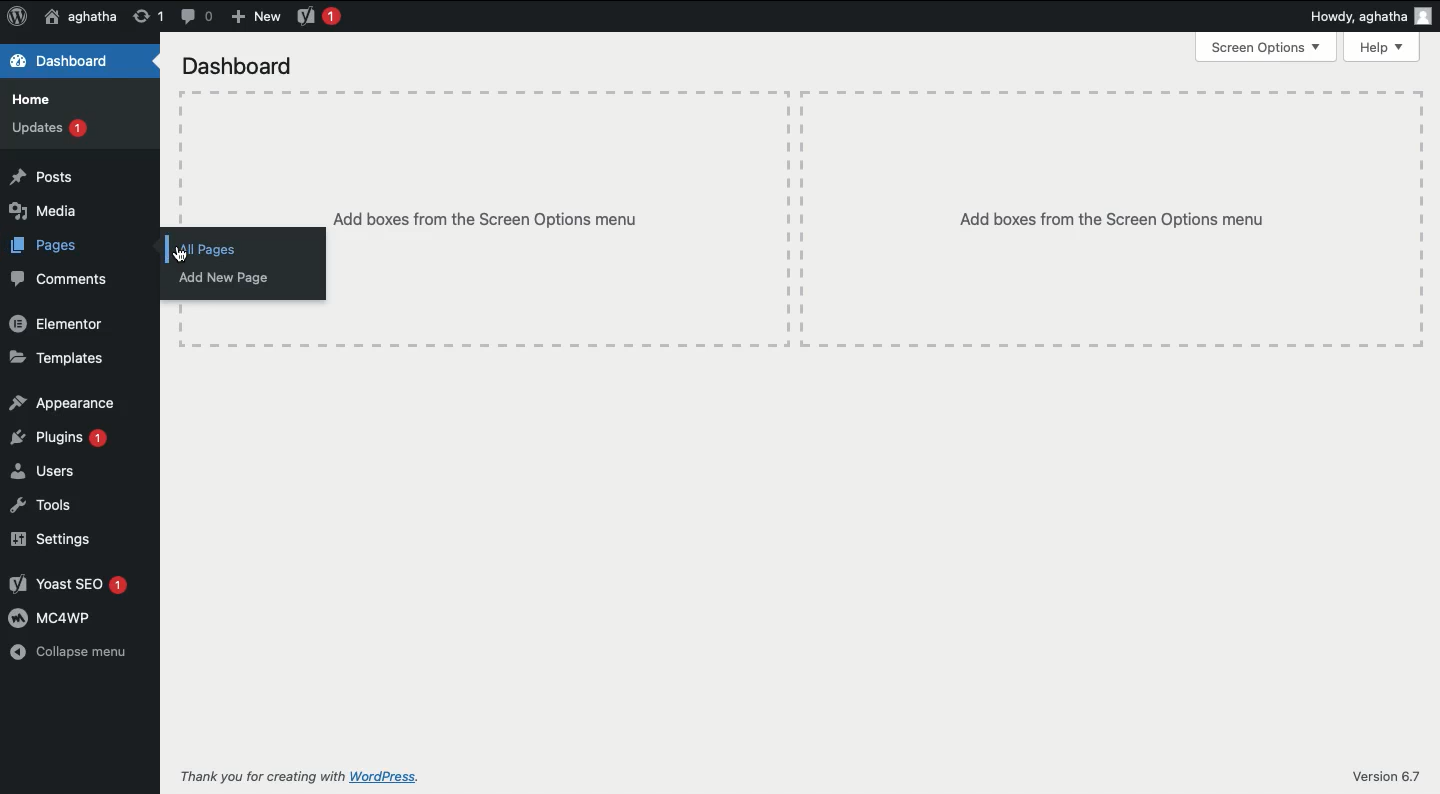 The width and height of the screenshot is (1440, 794). I want to click on Collapse menu, so click(68, 652).